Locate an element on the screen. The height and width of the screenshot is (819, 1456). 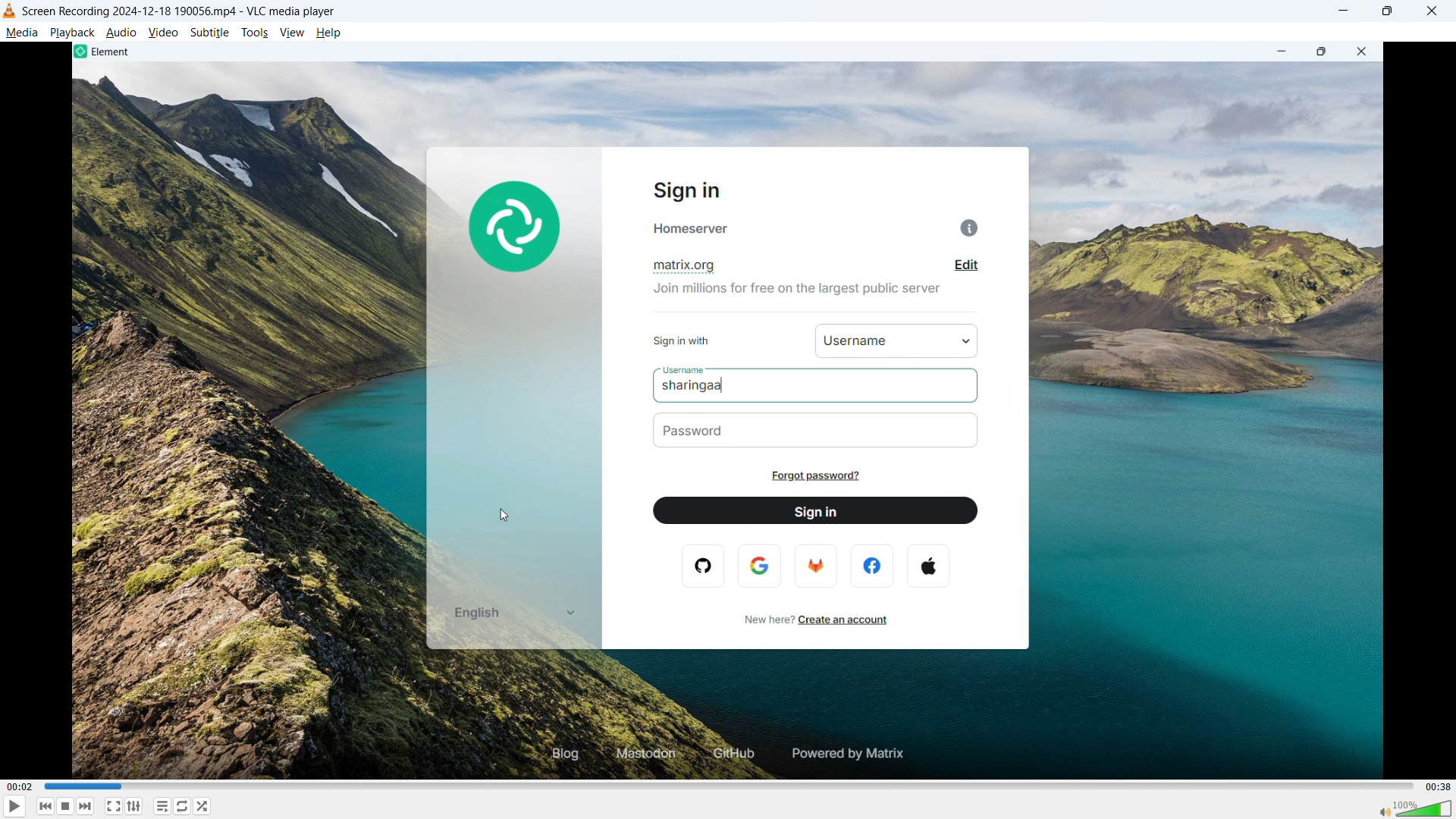
help  is located at coordinates (329, 33).